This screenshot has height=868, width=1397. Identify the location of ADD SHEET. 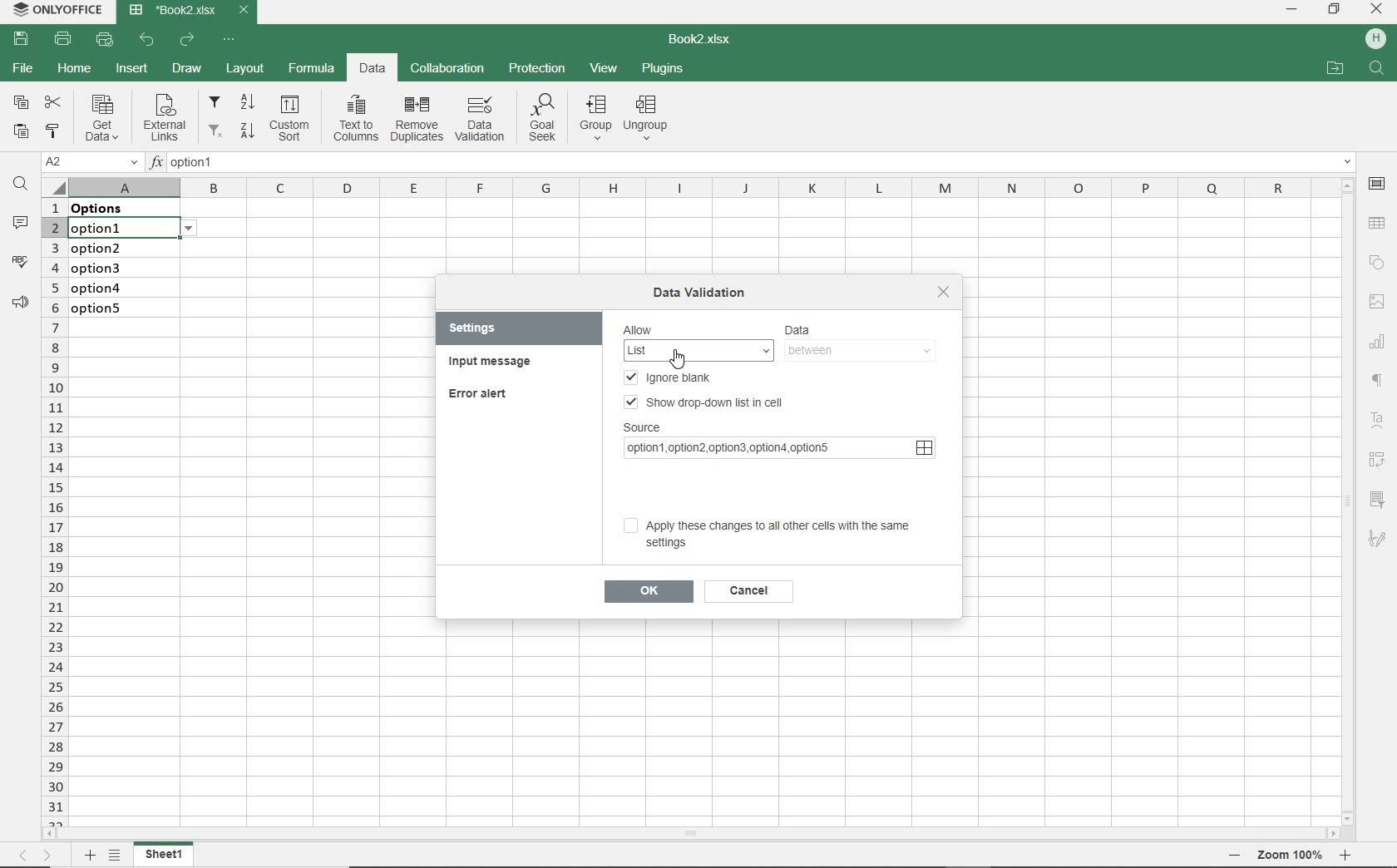
(90, 856).